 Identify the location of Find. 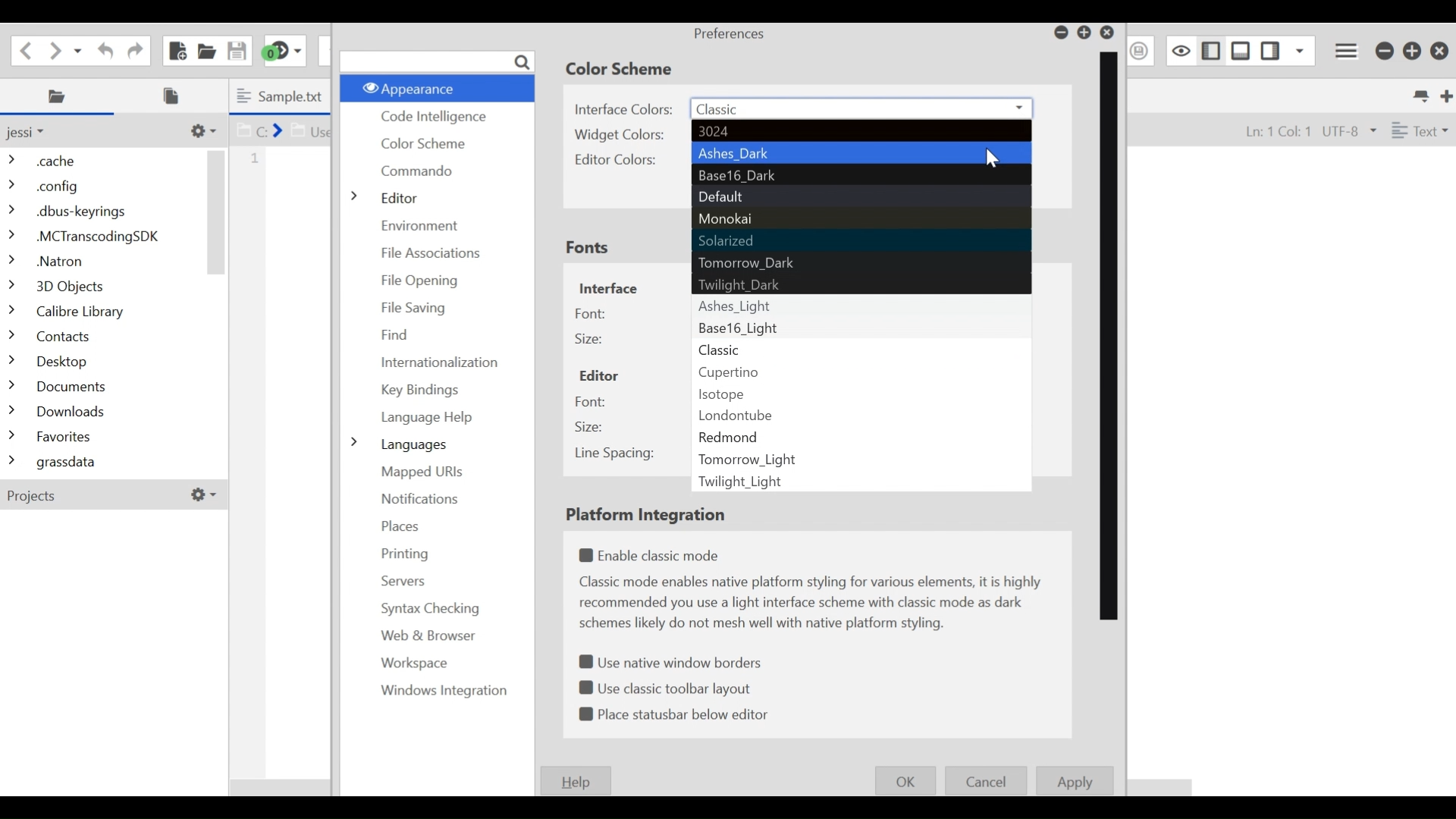
(397, 334).